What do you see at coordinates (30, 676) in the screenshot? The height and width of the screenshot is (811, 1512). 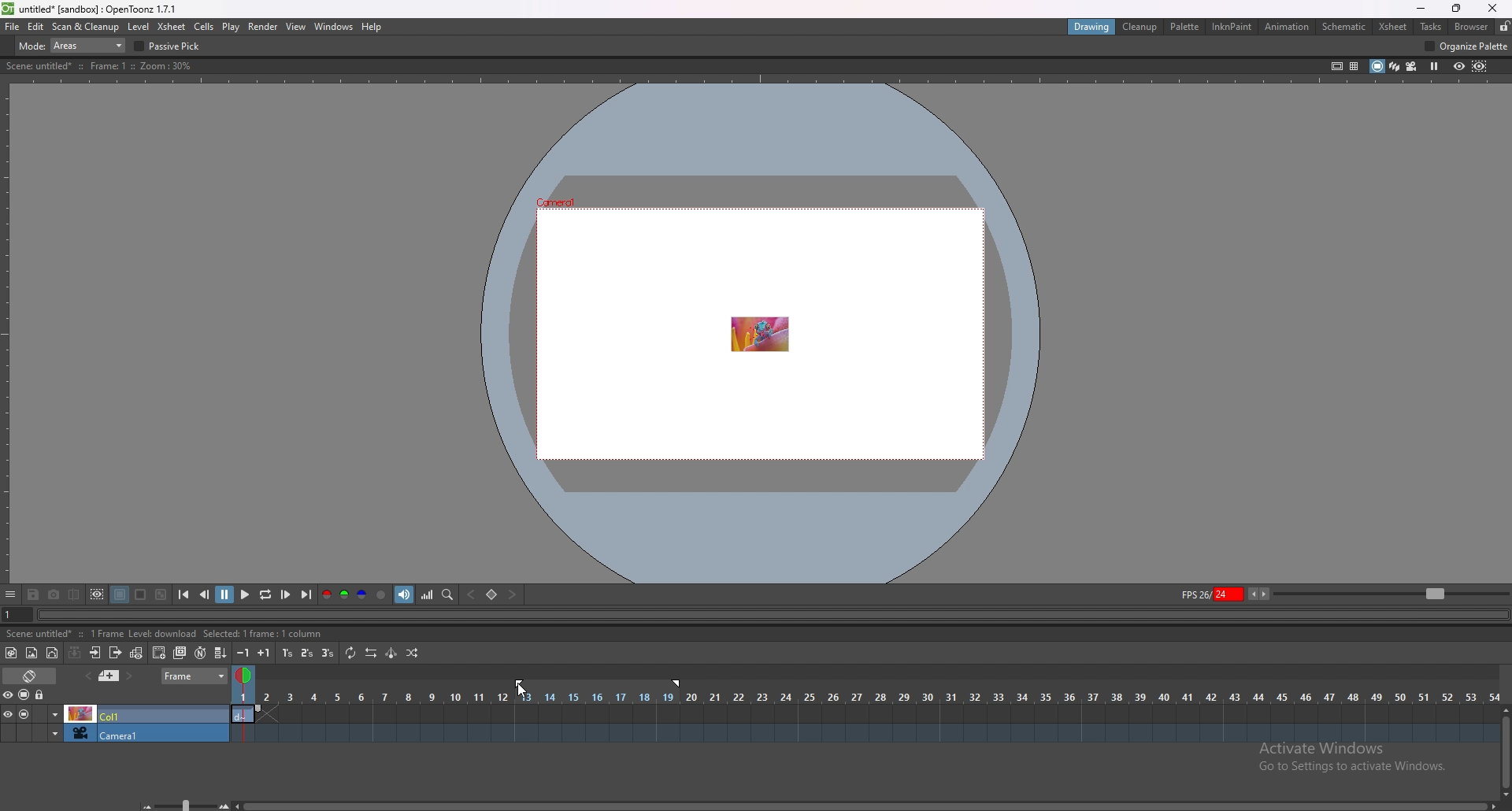 I see `toggle timeline` at bounding box center [30, 676].